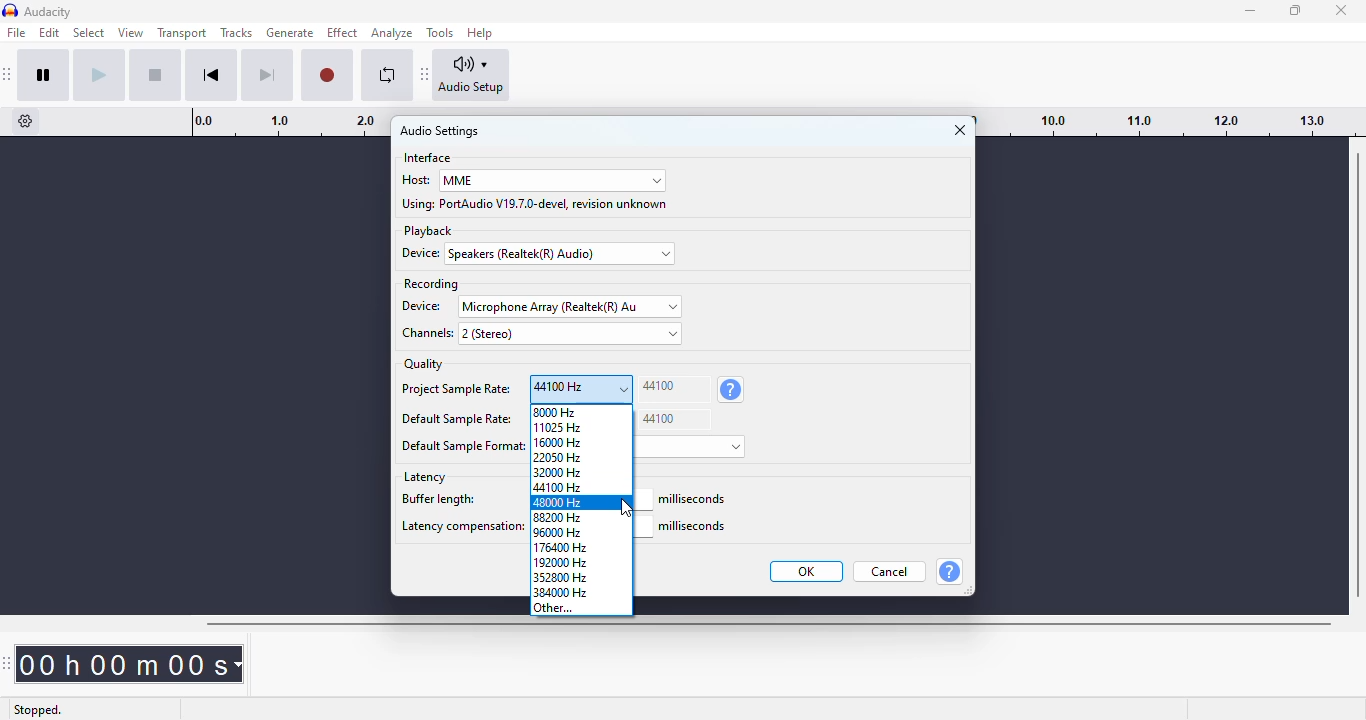 The image size is (1366, 720). Describe the element at coordinates (424, 364) in the screenshot. I see `quality` at that location.